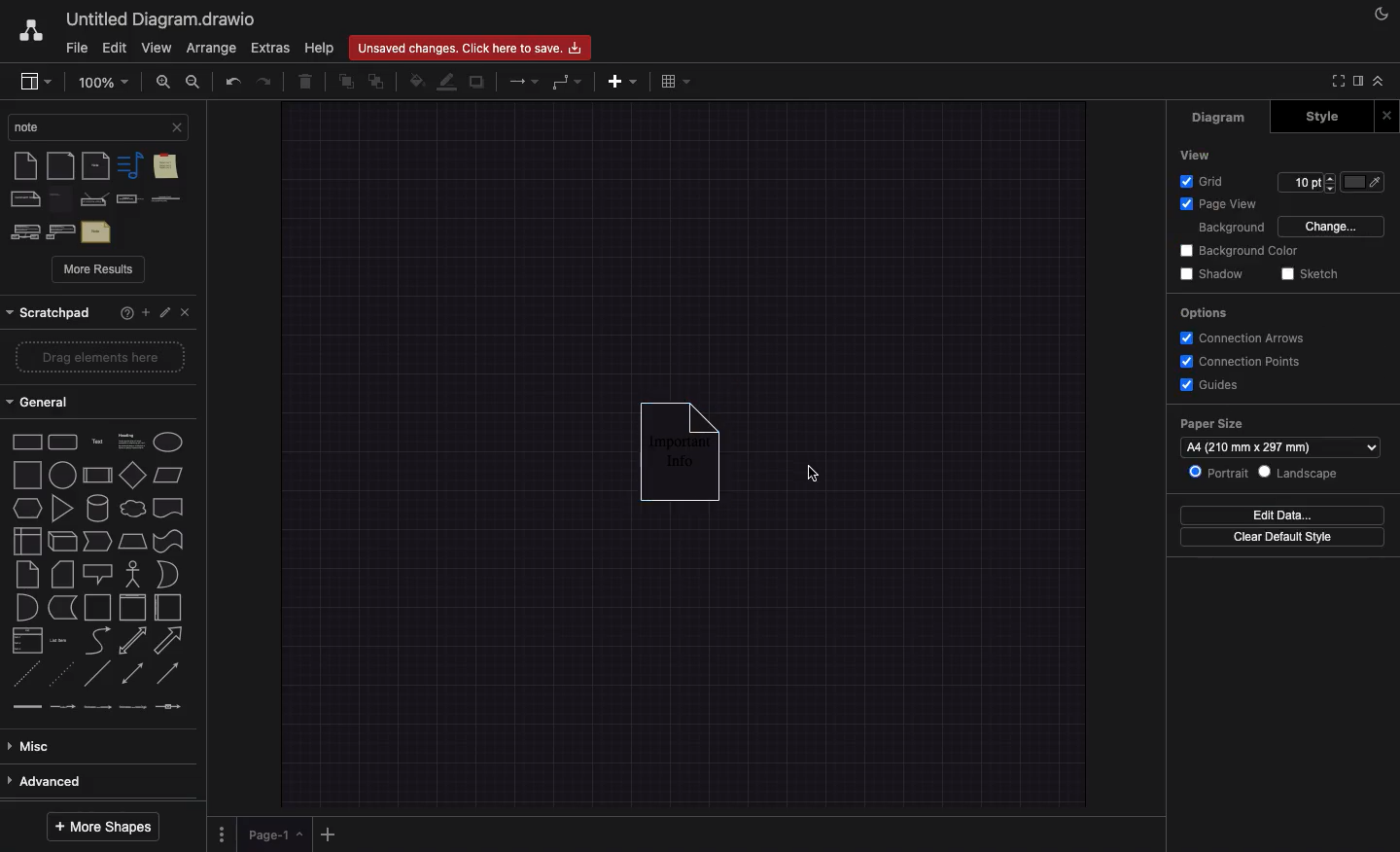  What do you see at coordinates (62, 199) in the screenshot?
I see `note` at bounding box center [62, 199].